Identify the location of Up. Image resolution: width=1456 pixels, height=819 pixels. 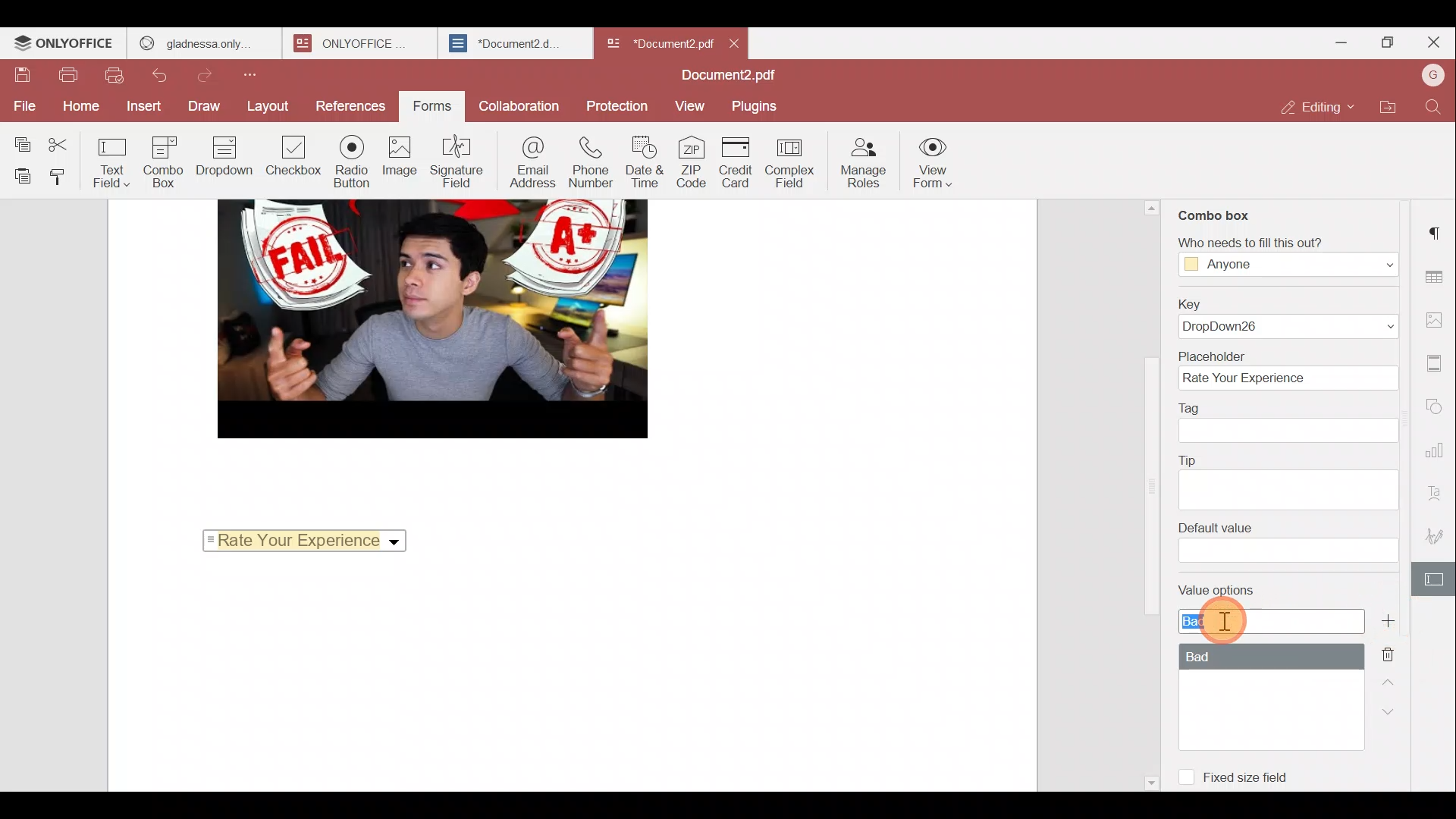
(1389, 687).